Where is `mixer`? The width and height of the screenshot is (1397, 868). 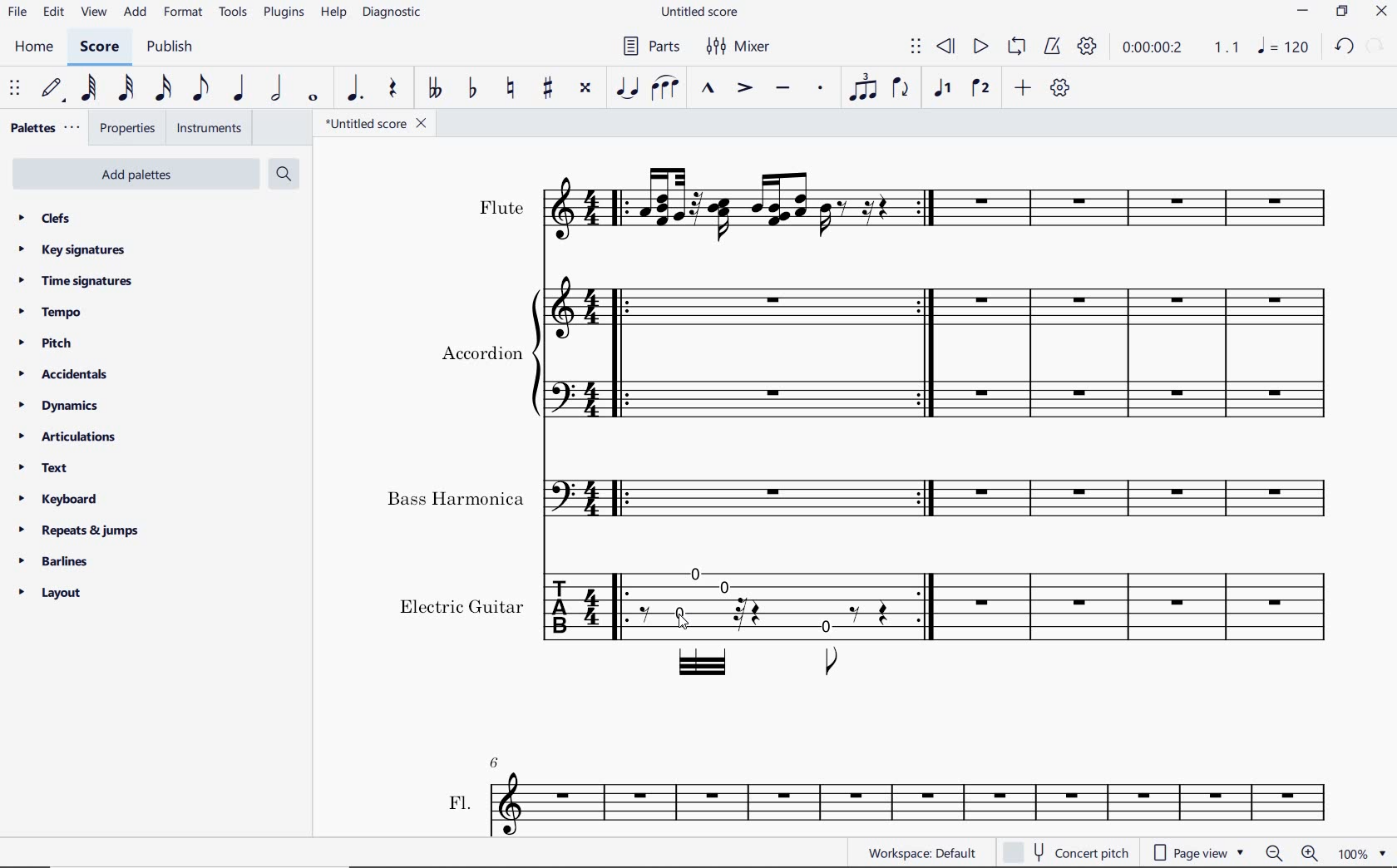
mixer is located at coordinates (739, 45).